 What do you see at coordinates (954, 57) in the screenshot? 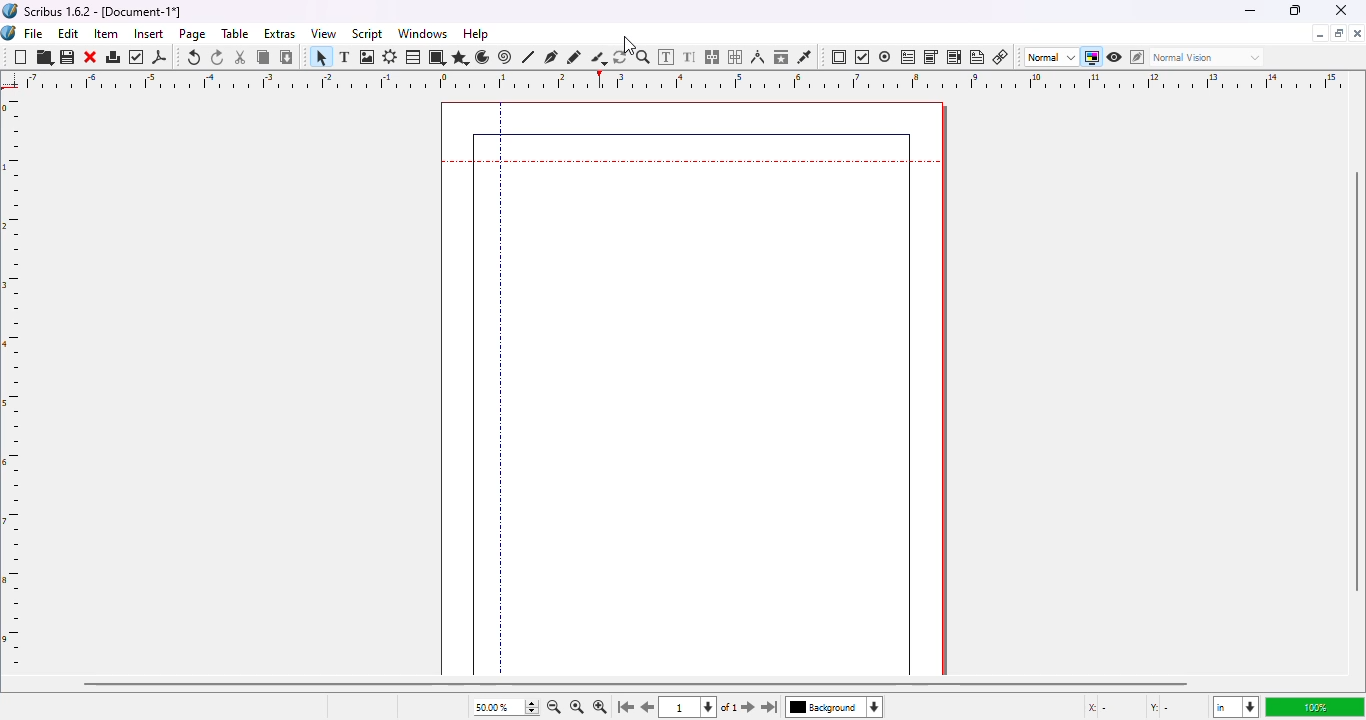
I see `PDF list box` at bounding box center [954, 57].